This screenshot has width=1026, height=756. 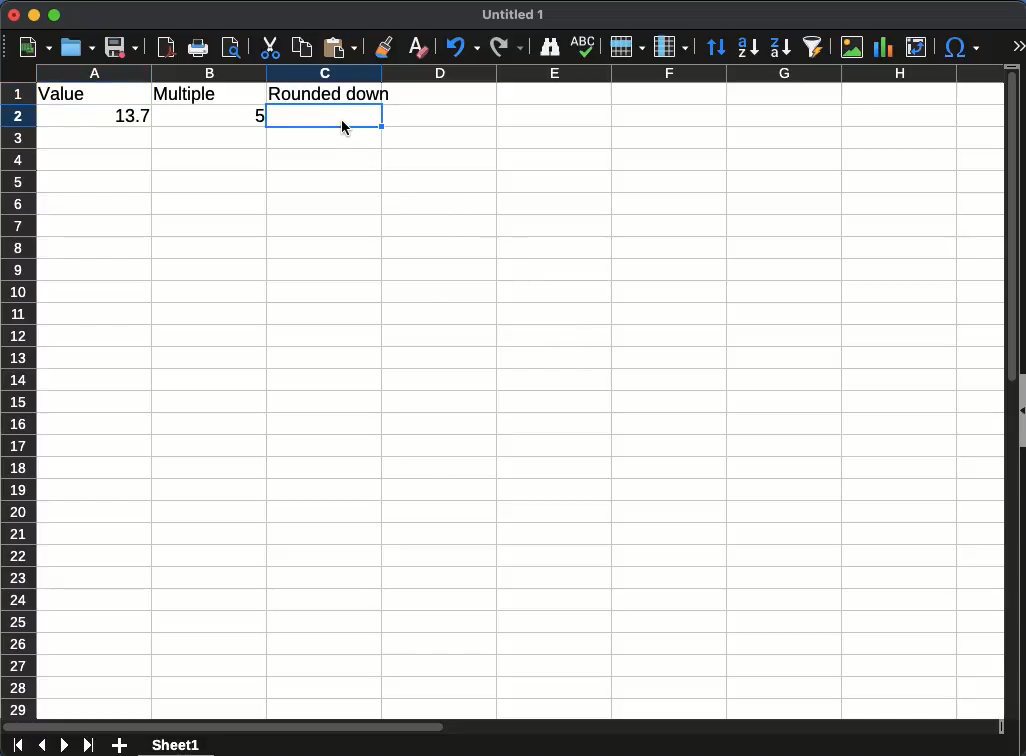 I want to click on save, so click(x=122, y=48).